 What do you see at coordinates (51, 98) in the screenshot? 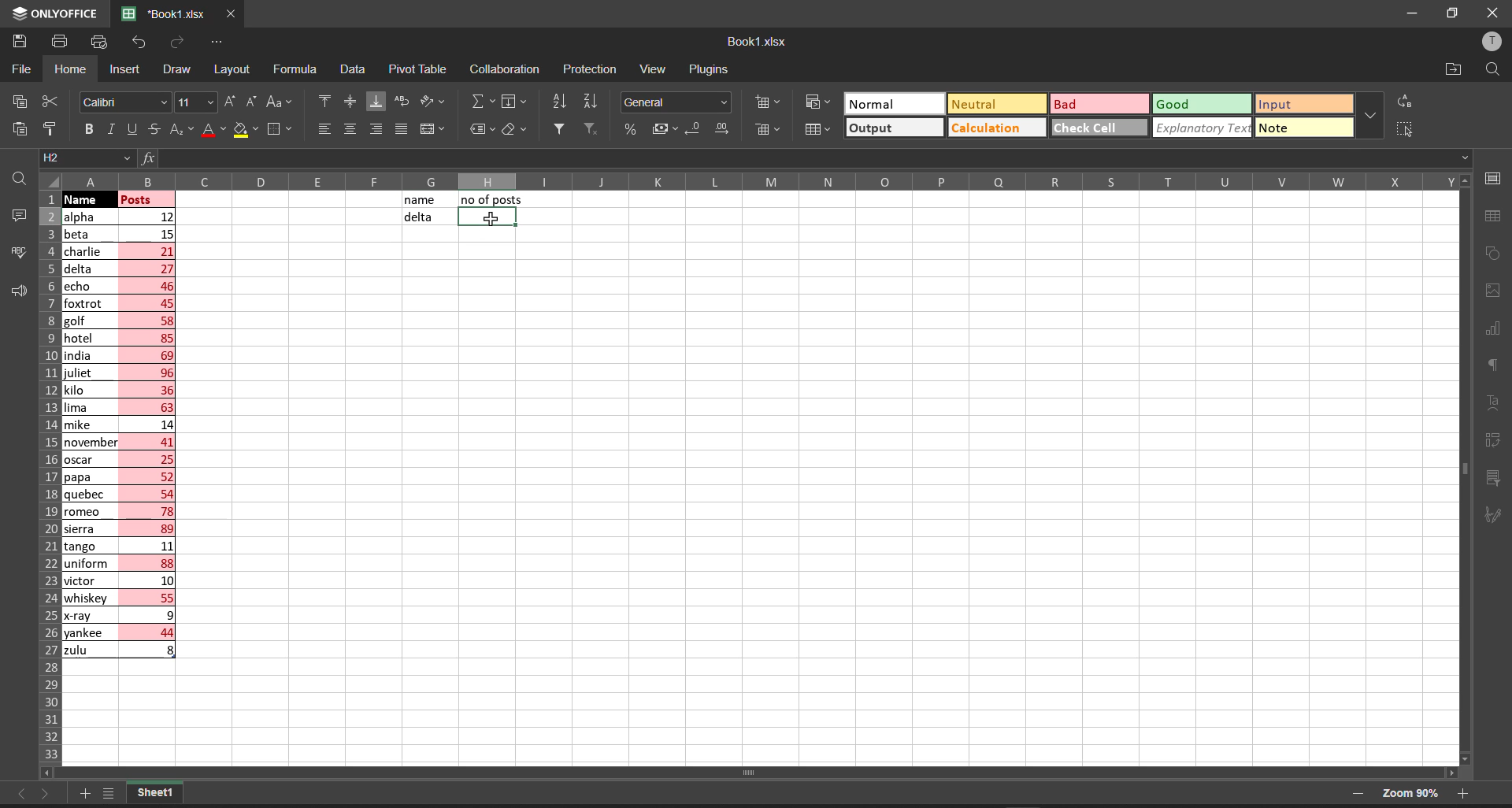
I see `cut` at bounding box center [51, 98].